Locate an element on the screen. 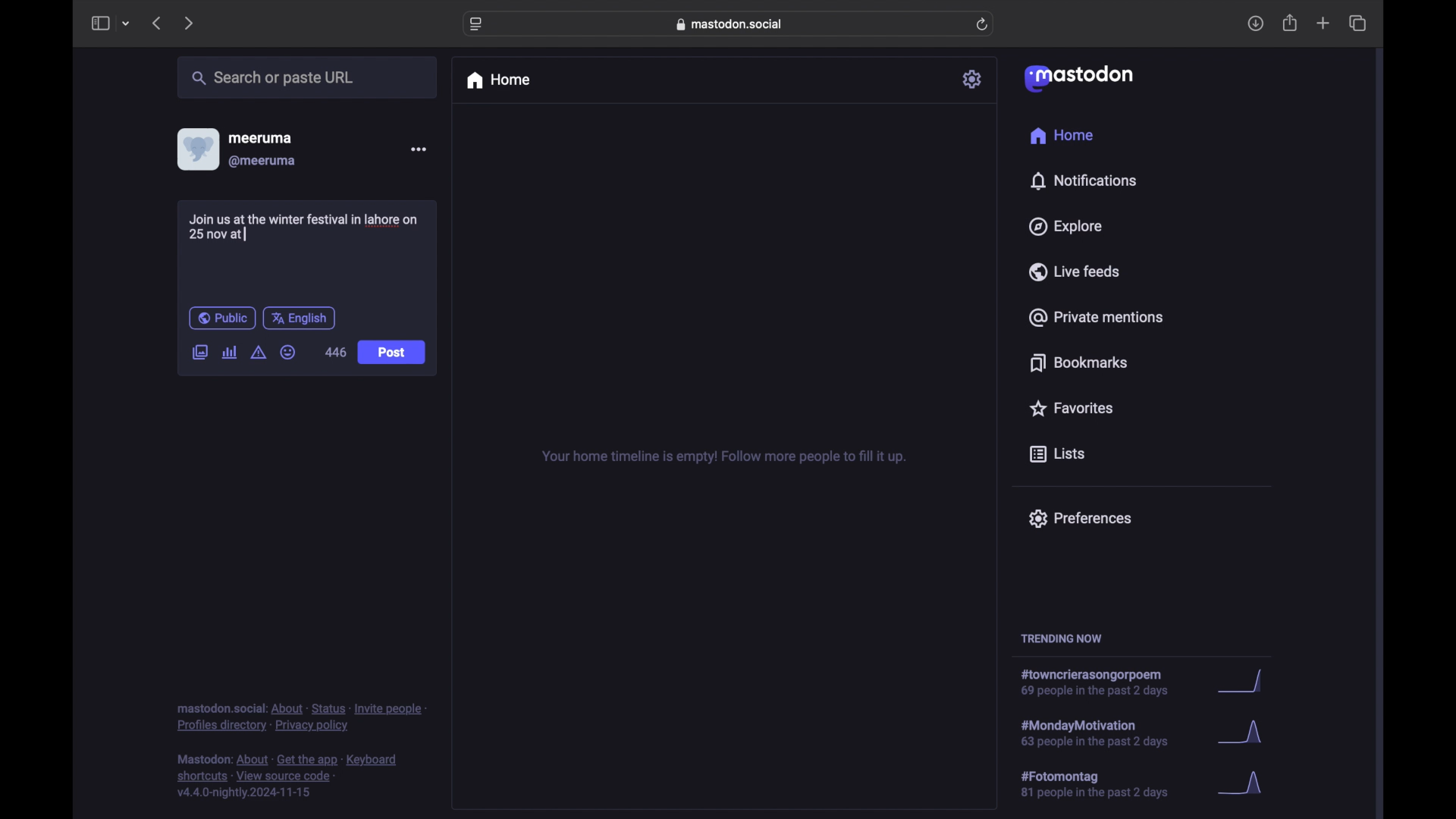  trending now is located at coordinates (1061, 639).